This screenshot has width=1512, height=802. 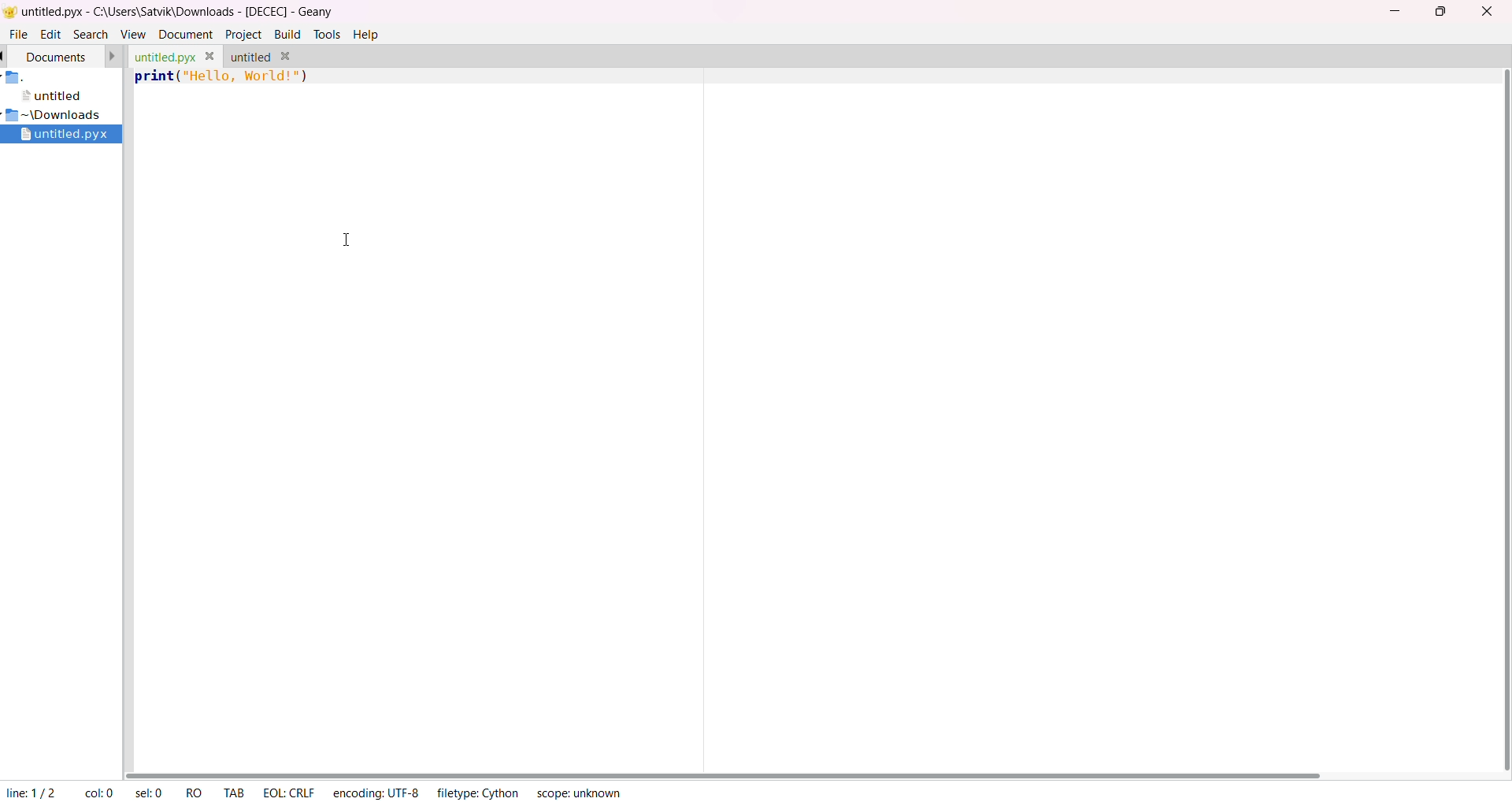 I want to click on close, so click(x=288, y=54).